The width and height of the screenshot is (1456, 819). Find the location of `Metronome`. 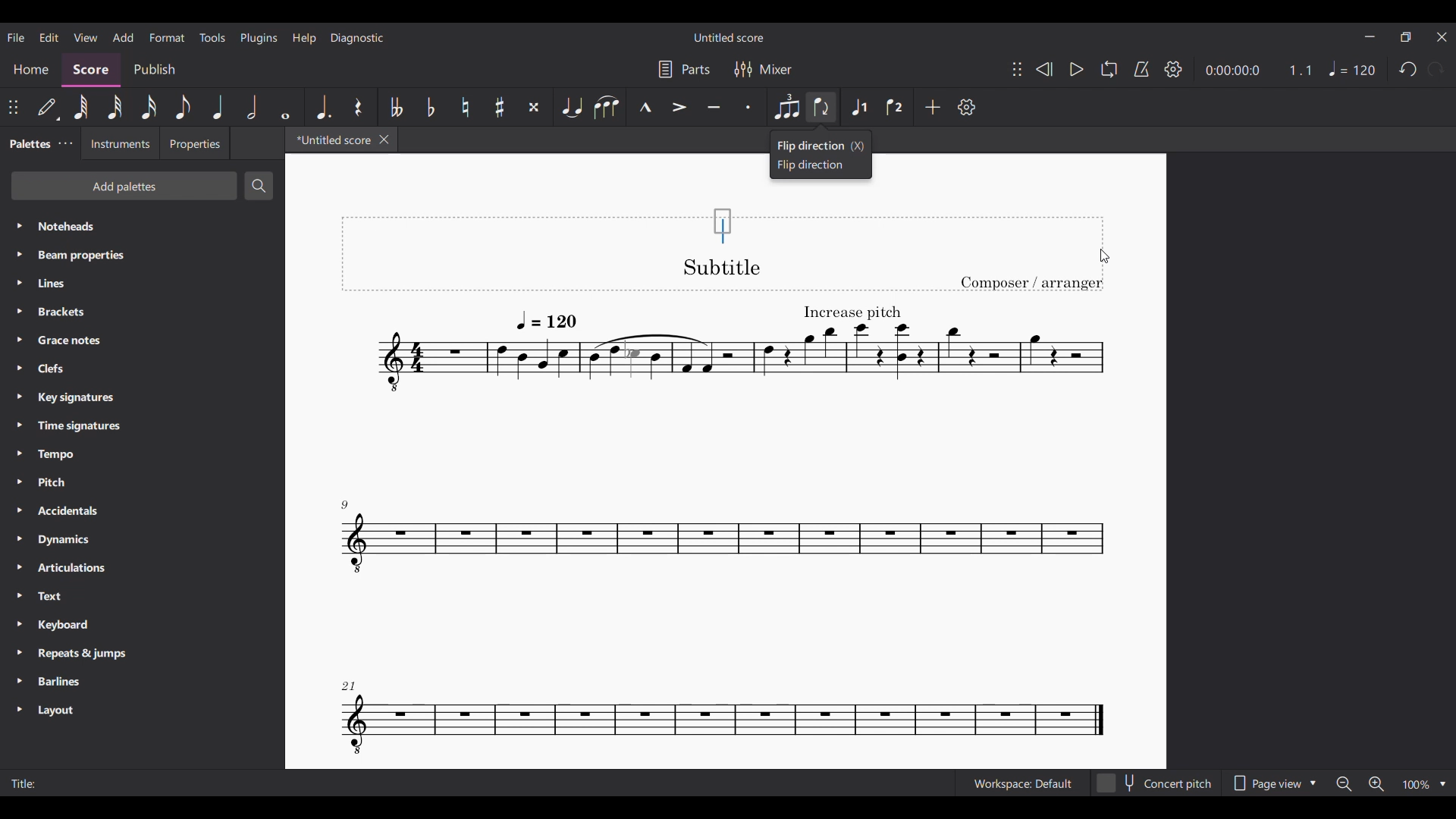

Metronome is located at coordinates (1141, 69).